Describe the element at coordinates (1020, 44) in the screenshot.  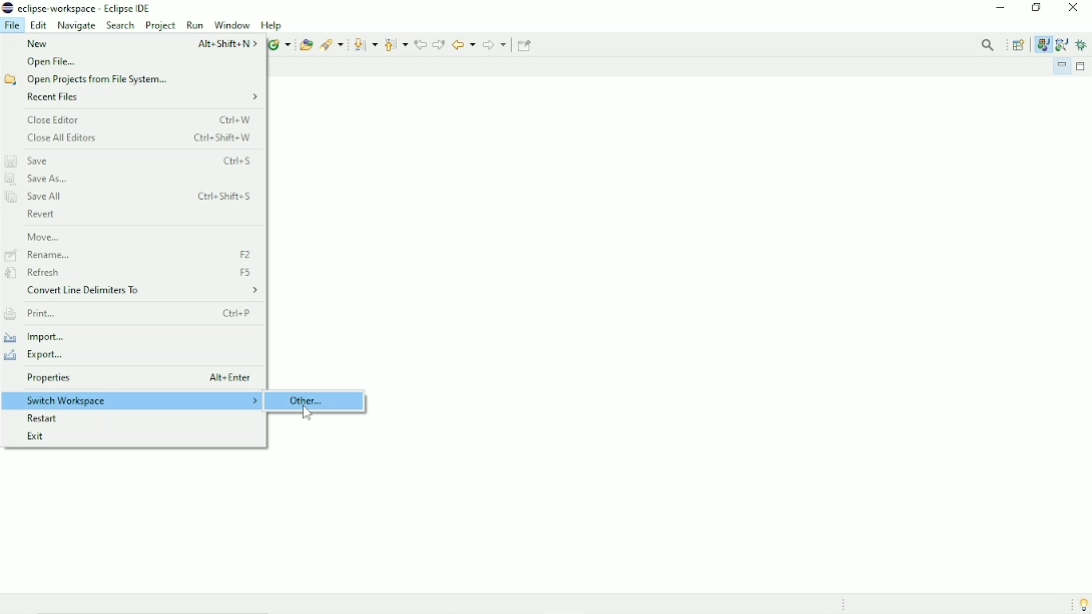
I see `Open perspective` at that location.